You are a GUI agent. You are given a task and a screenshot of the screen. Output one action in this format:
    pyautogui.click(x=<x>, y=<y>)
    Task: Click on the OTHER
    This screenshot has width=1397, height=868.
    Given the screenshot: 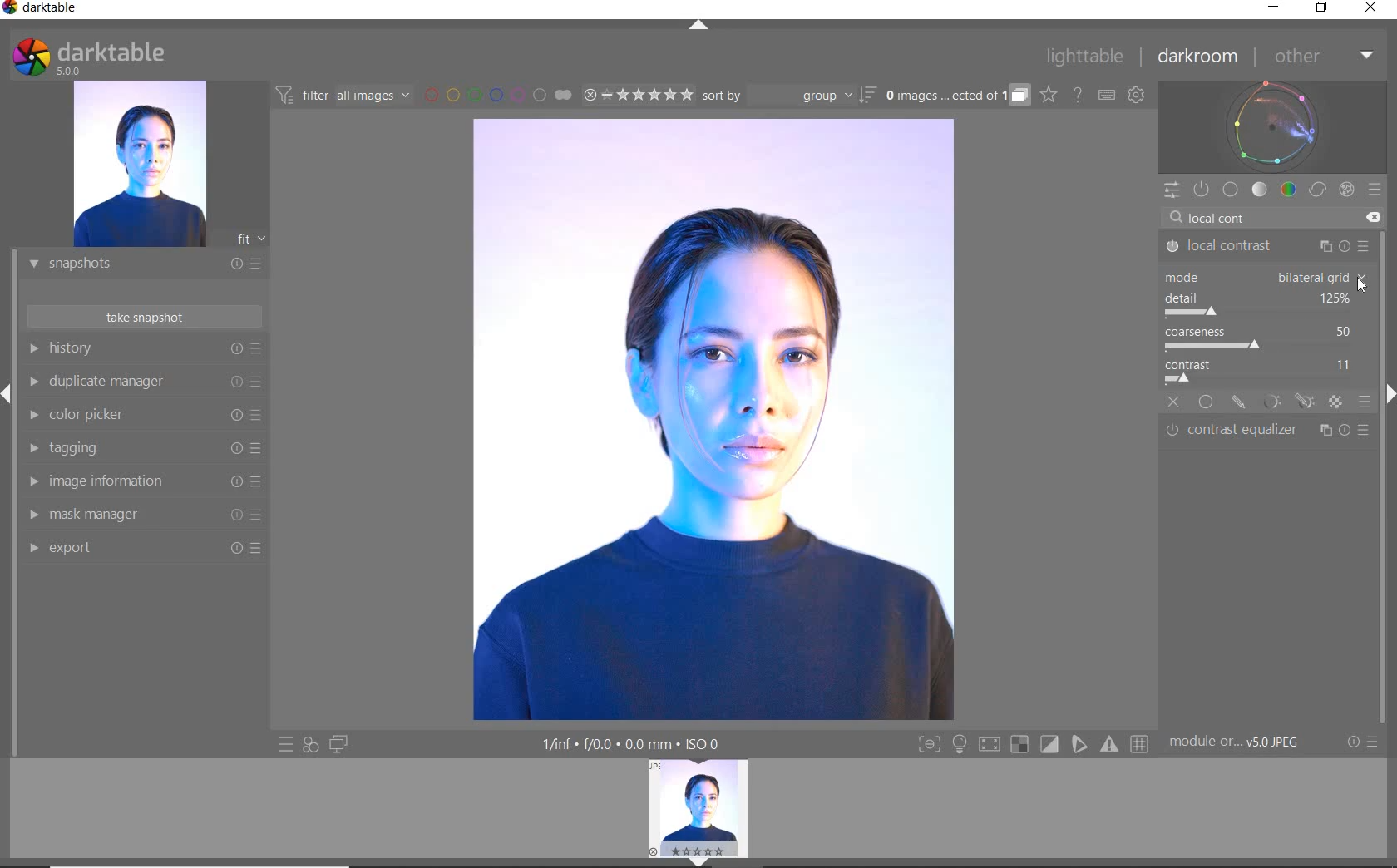 What is the action you would take?
    pyautogui.click(x=1322, y=57)
    